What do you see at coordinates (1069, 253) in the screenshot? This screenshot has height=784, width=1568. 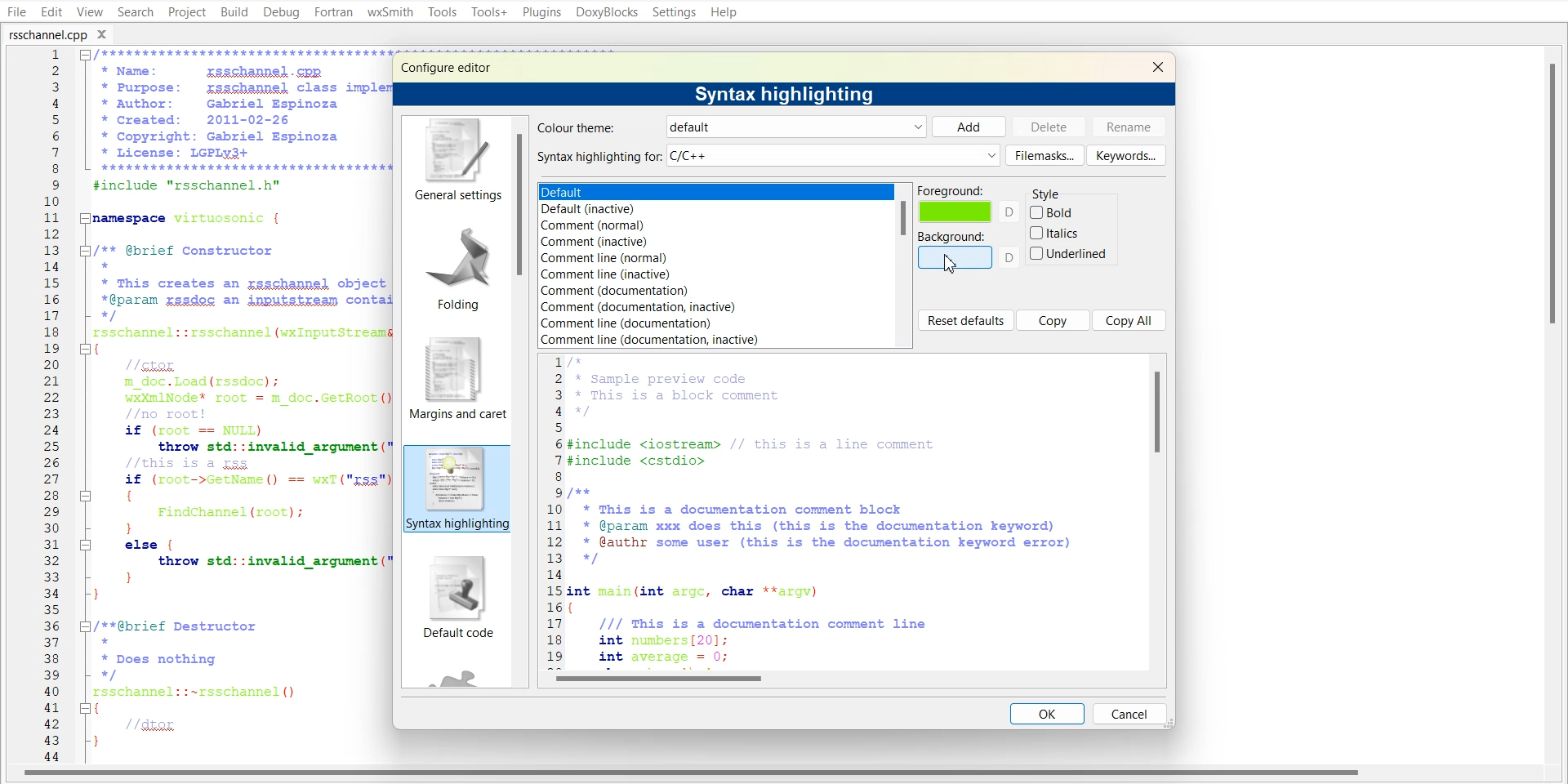 I see `Underlined` at bounding box center [1069, 253].